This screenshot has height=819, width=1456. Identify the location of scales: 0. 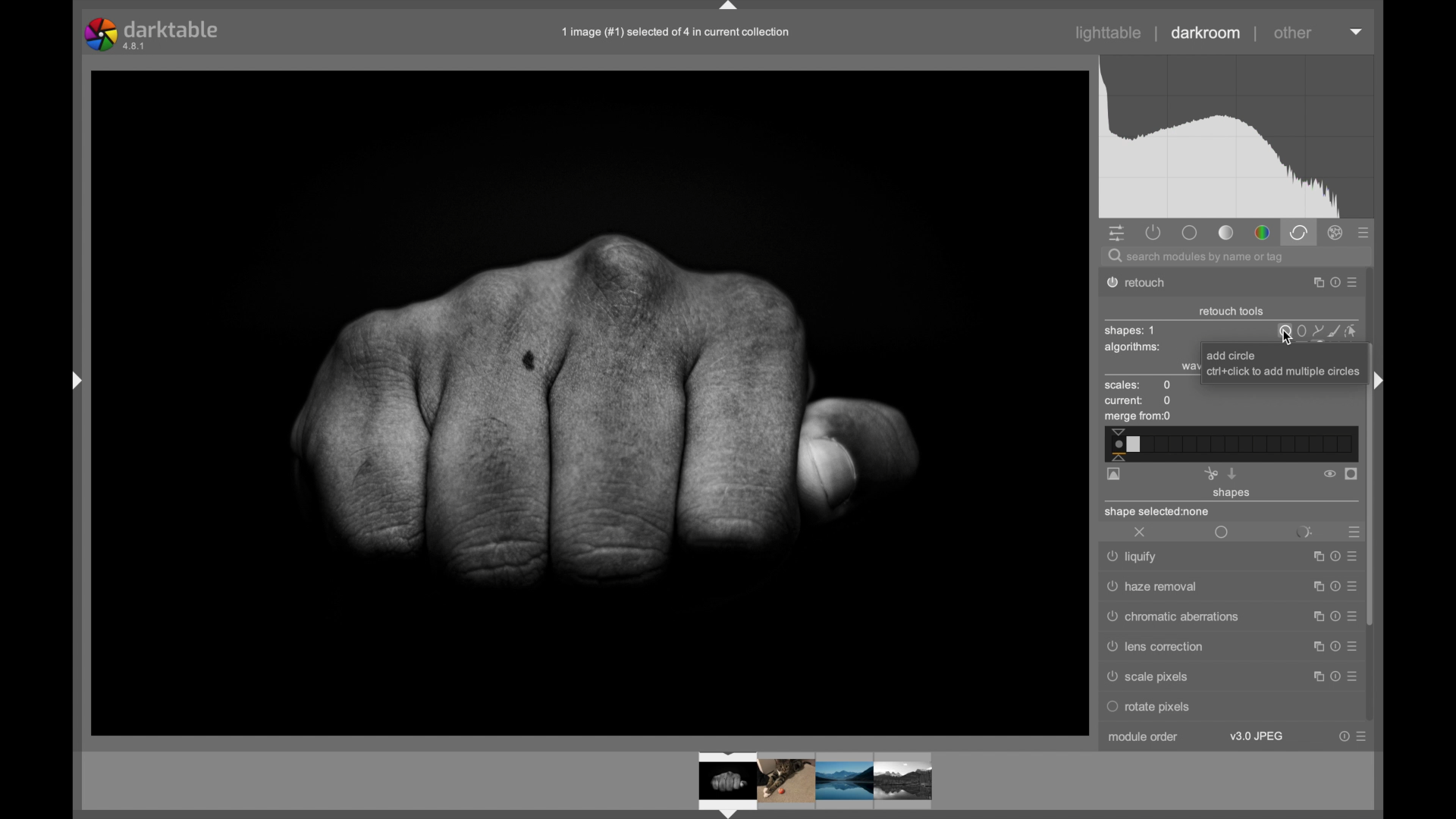
(1138, 386).